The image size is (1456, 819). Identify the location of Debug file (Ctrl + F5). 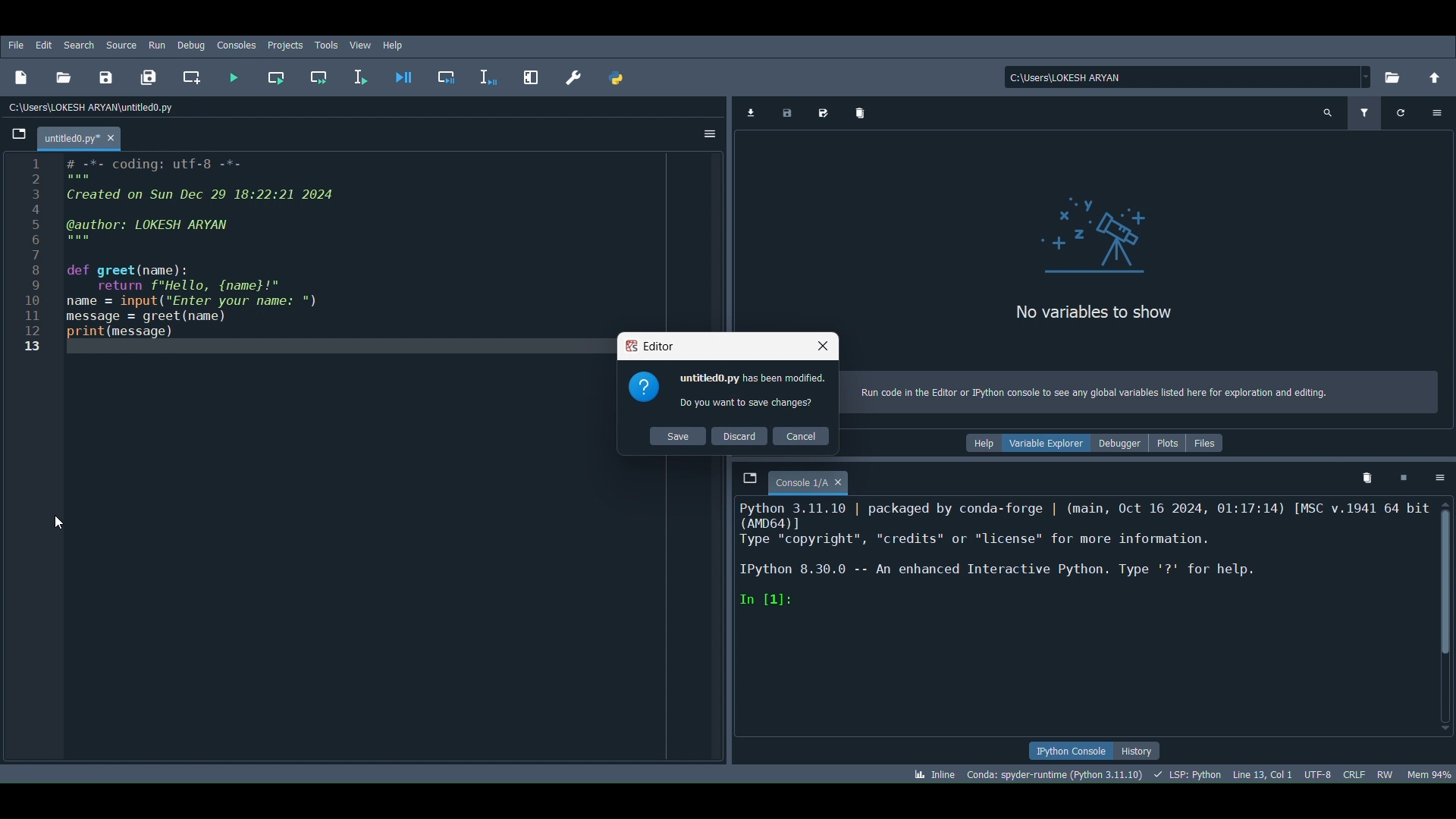
(410, 76).